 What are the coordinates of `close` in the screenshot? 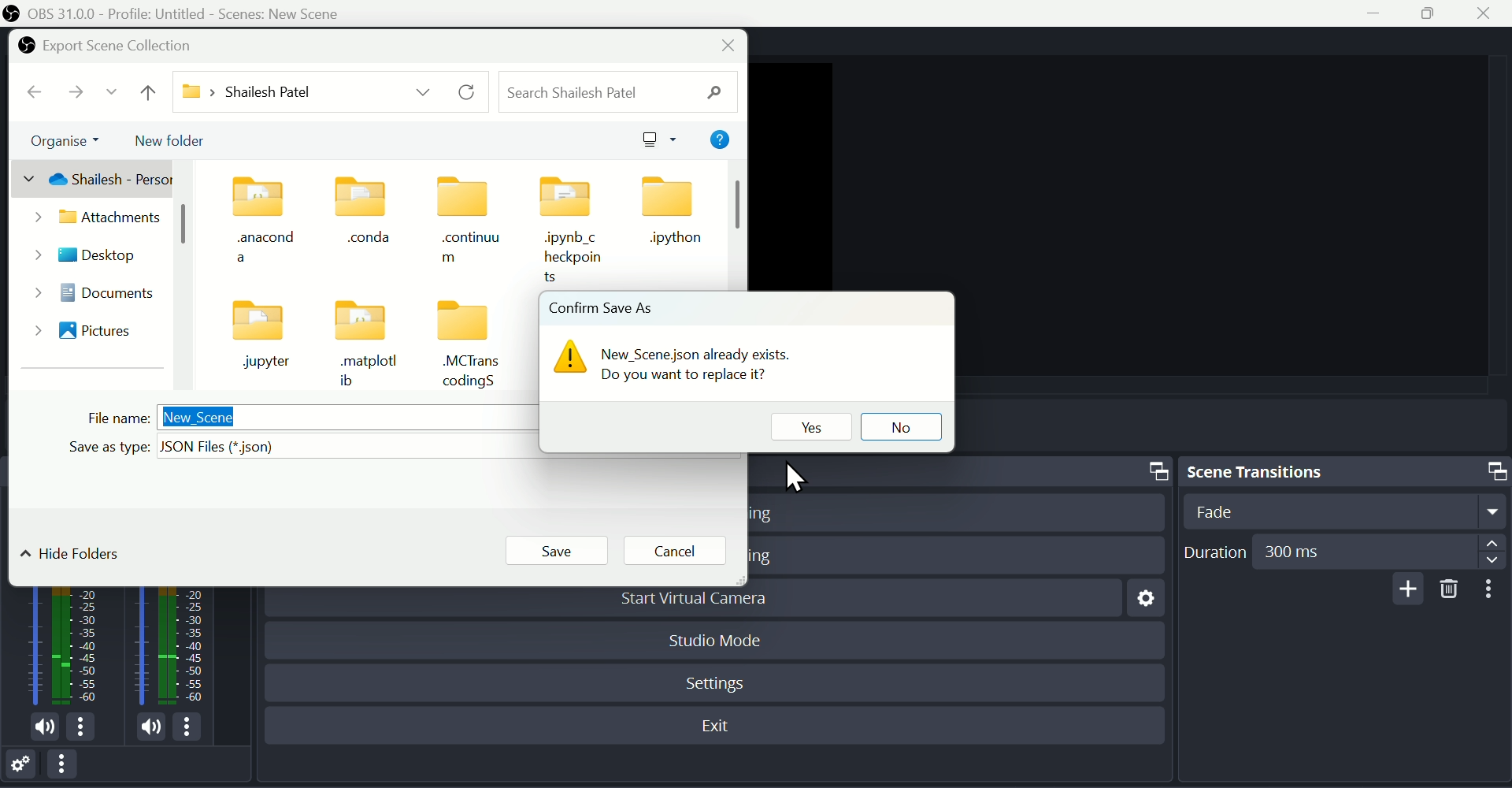 It's located at (728, 46).